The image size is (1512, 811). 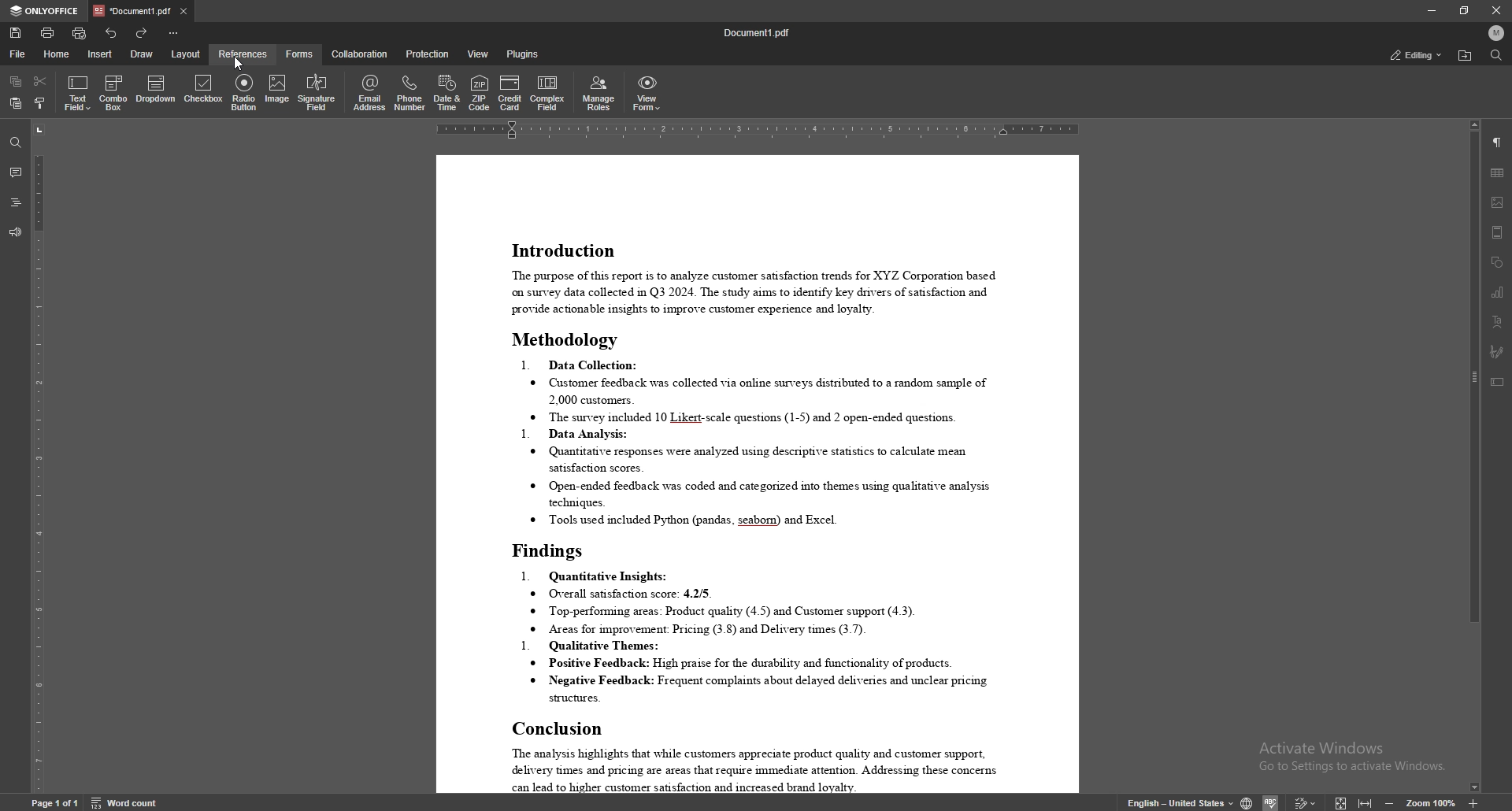 I want to click on find, so click(x=16, y=143).